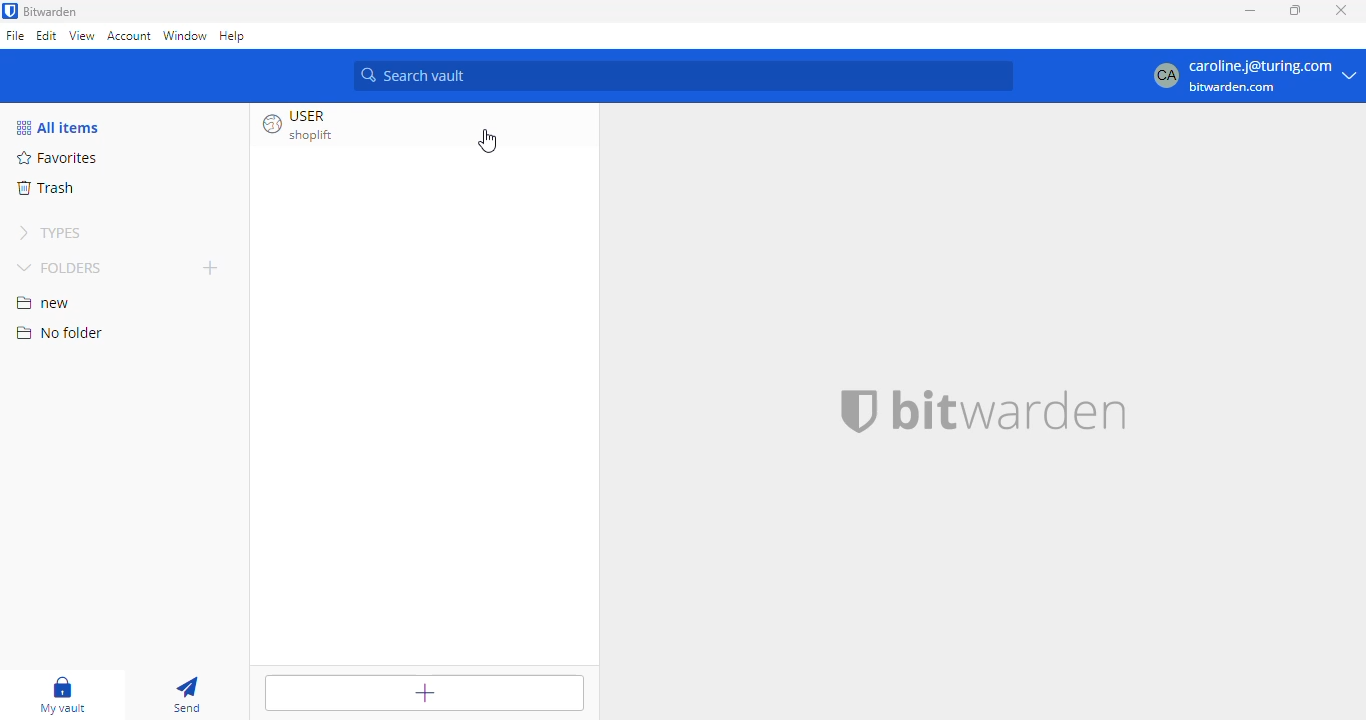  Describe the element at coordinates (1341, 10) in the screenshot. I see `close` at that location.